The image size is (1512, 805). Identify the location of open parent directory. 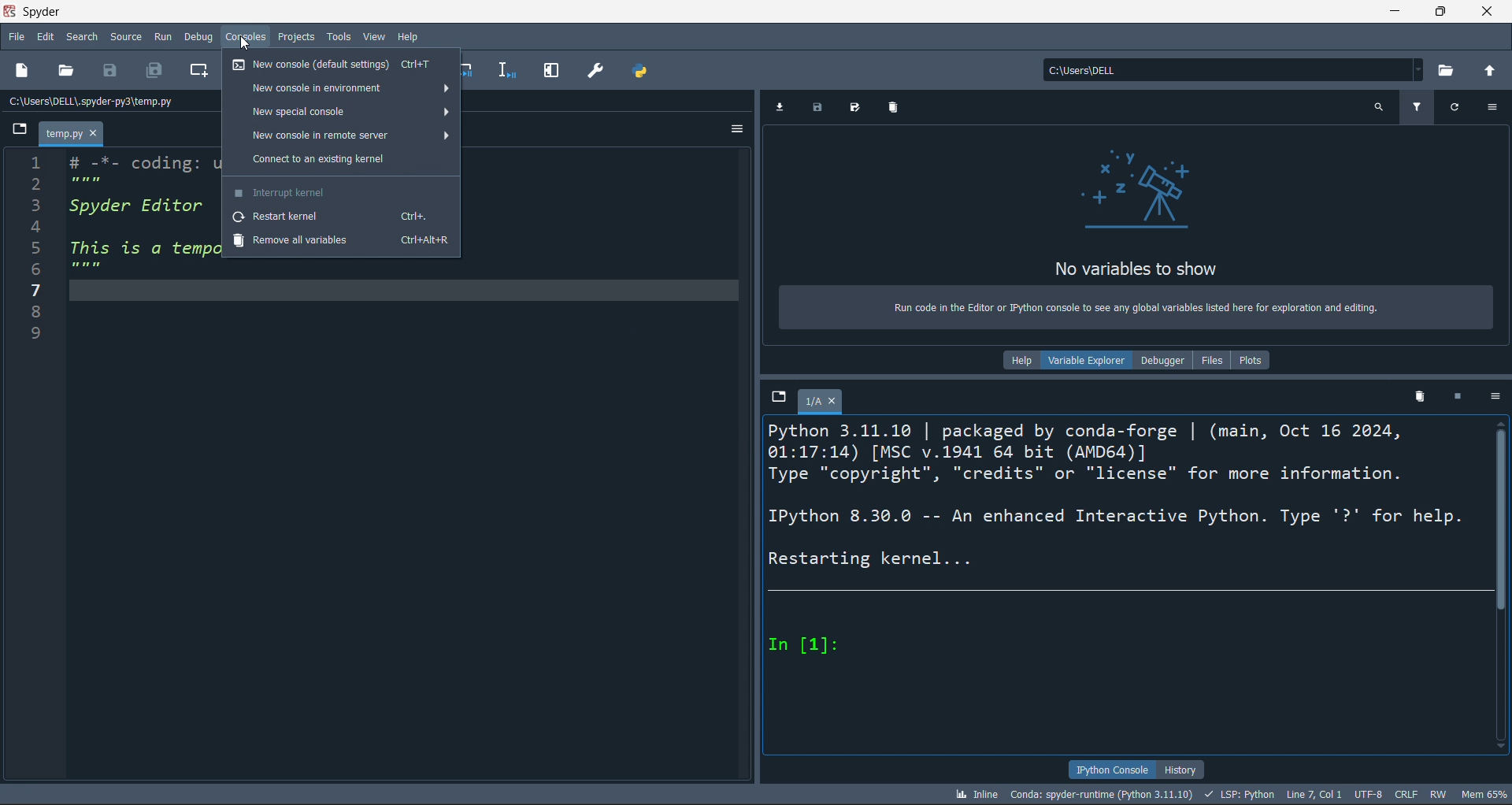
(1489, 66).